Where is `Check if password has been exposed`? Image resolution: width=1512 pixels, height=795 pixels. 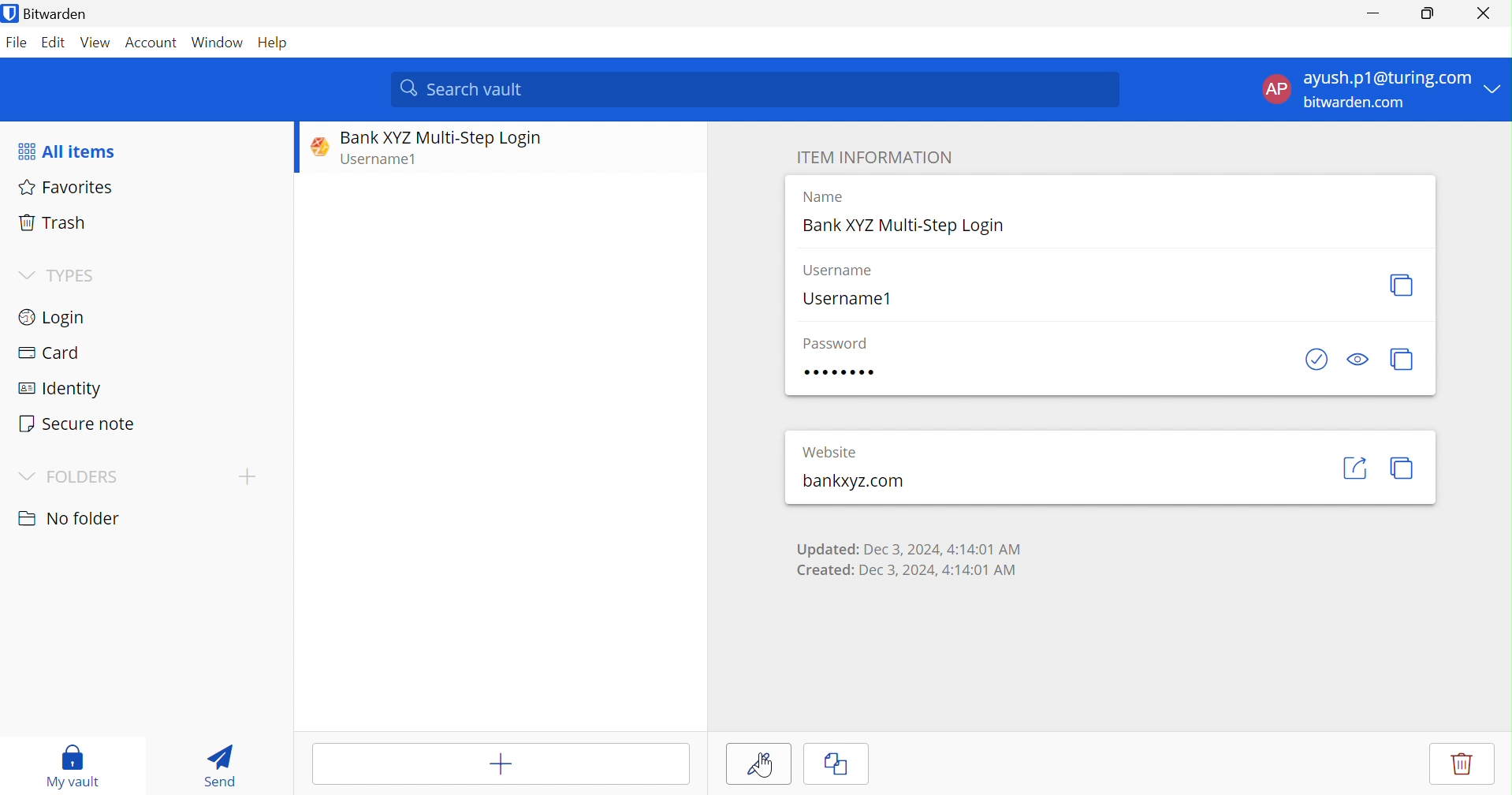 Check if password has been exposed is located at coordinates (1319, 360).